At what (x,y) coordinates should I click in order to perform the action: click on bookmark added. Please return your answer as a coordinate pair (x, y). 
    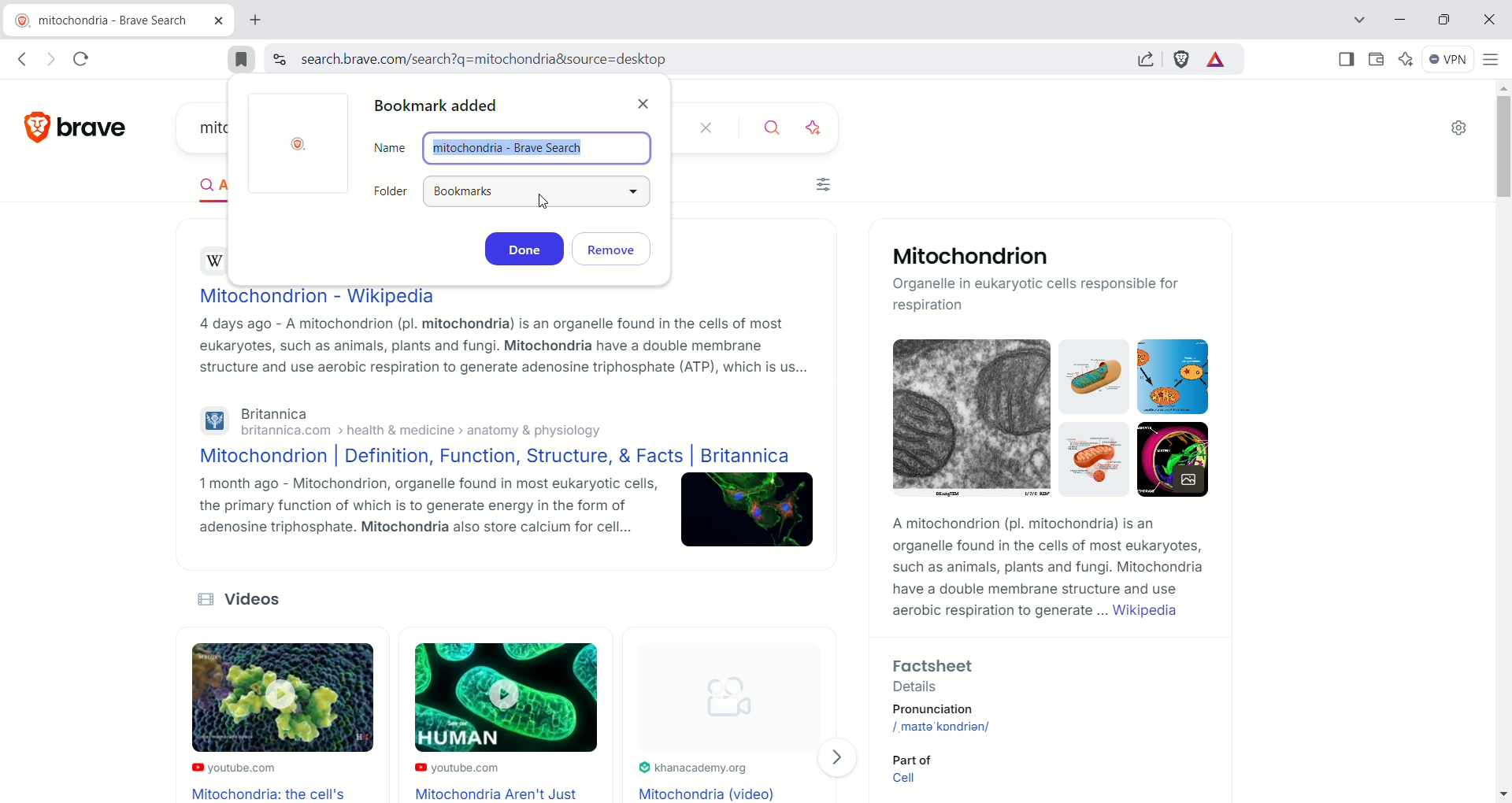
    Looking at the image, I should click on (442, 107).